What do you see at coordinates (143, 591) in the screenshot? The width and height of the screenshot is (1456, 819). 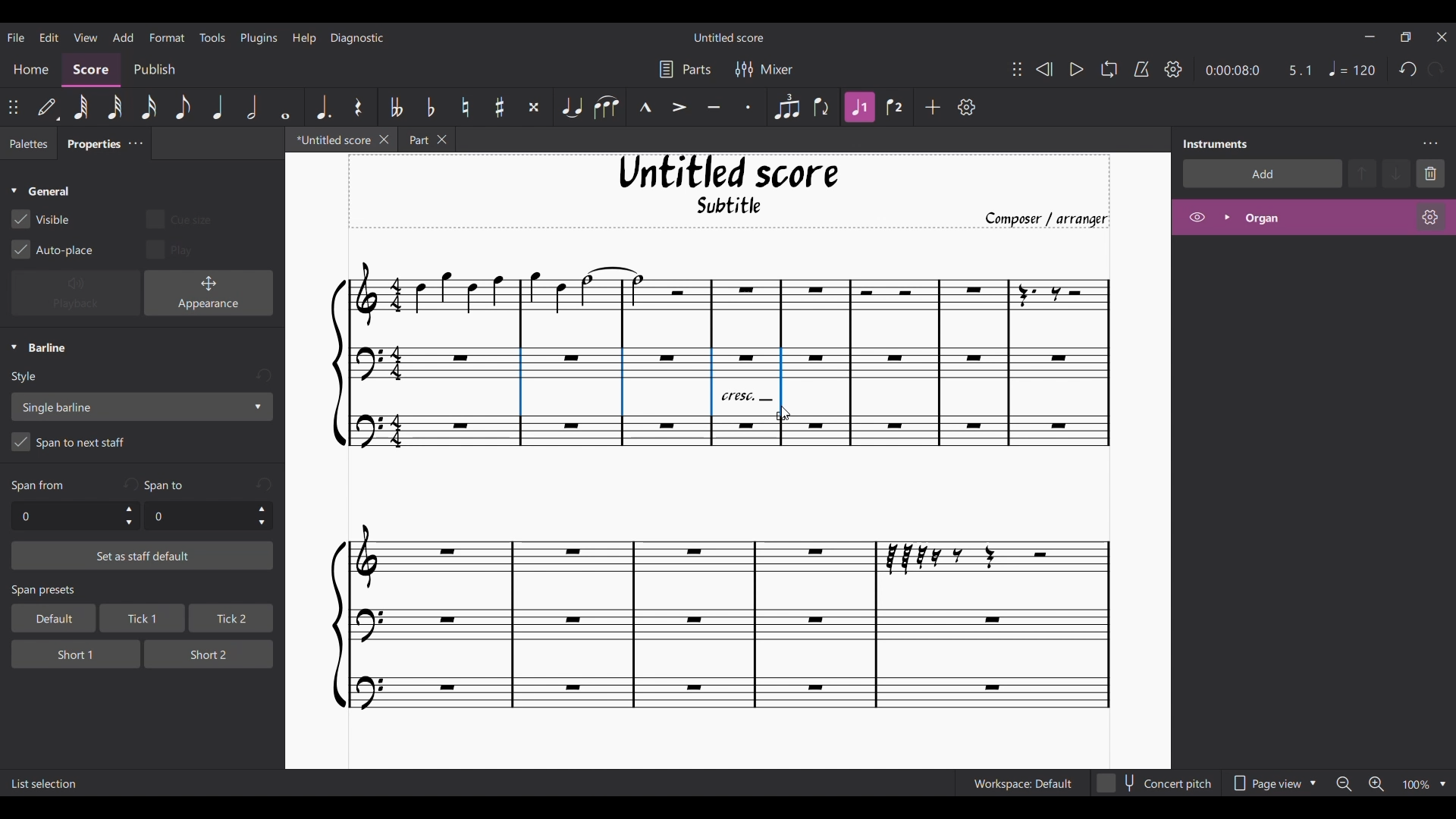 I see `Span presets` at bounding box center [143, 591].